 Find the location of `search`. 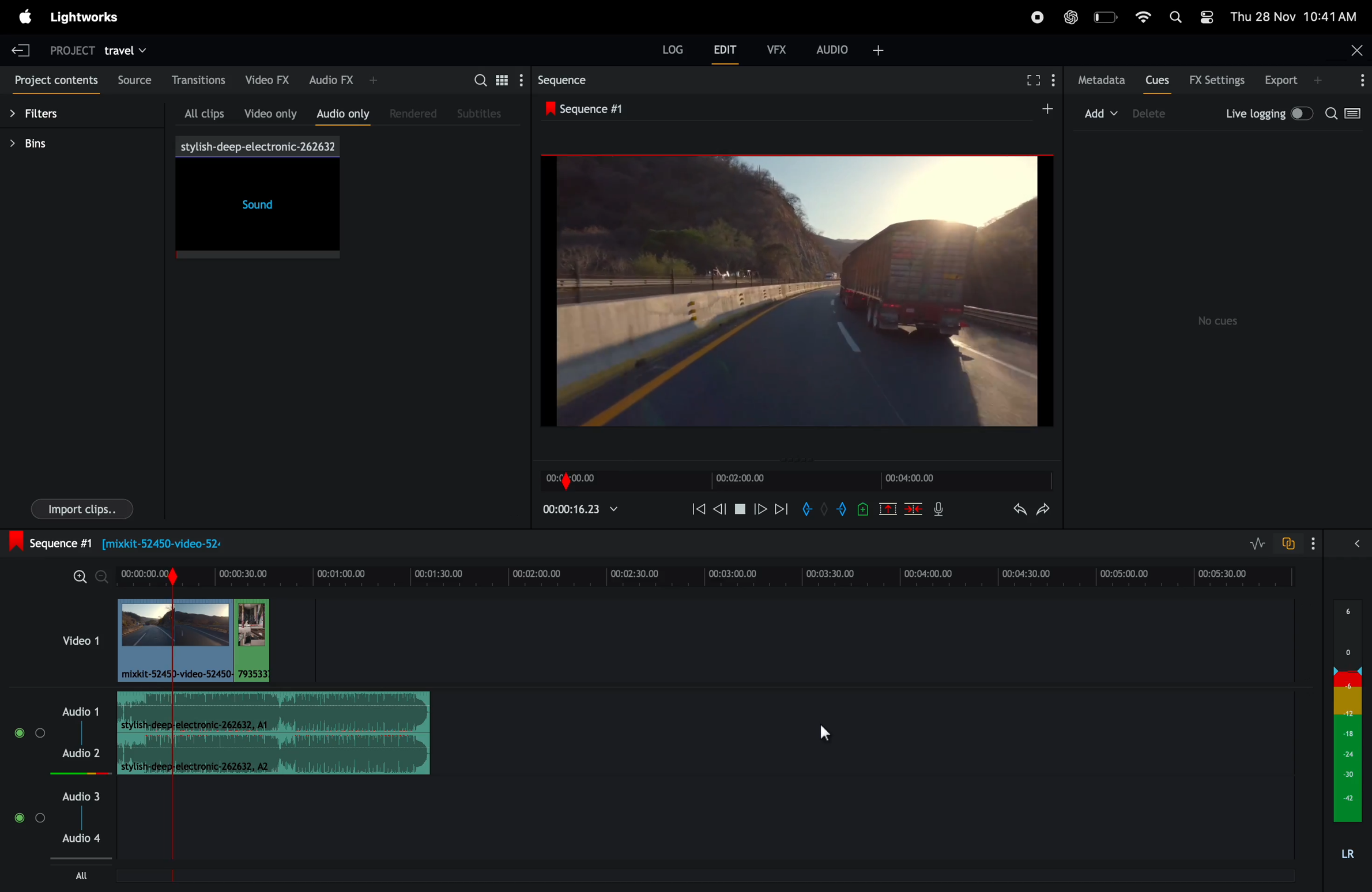

search is located at coordinates (1330, 114).